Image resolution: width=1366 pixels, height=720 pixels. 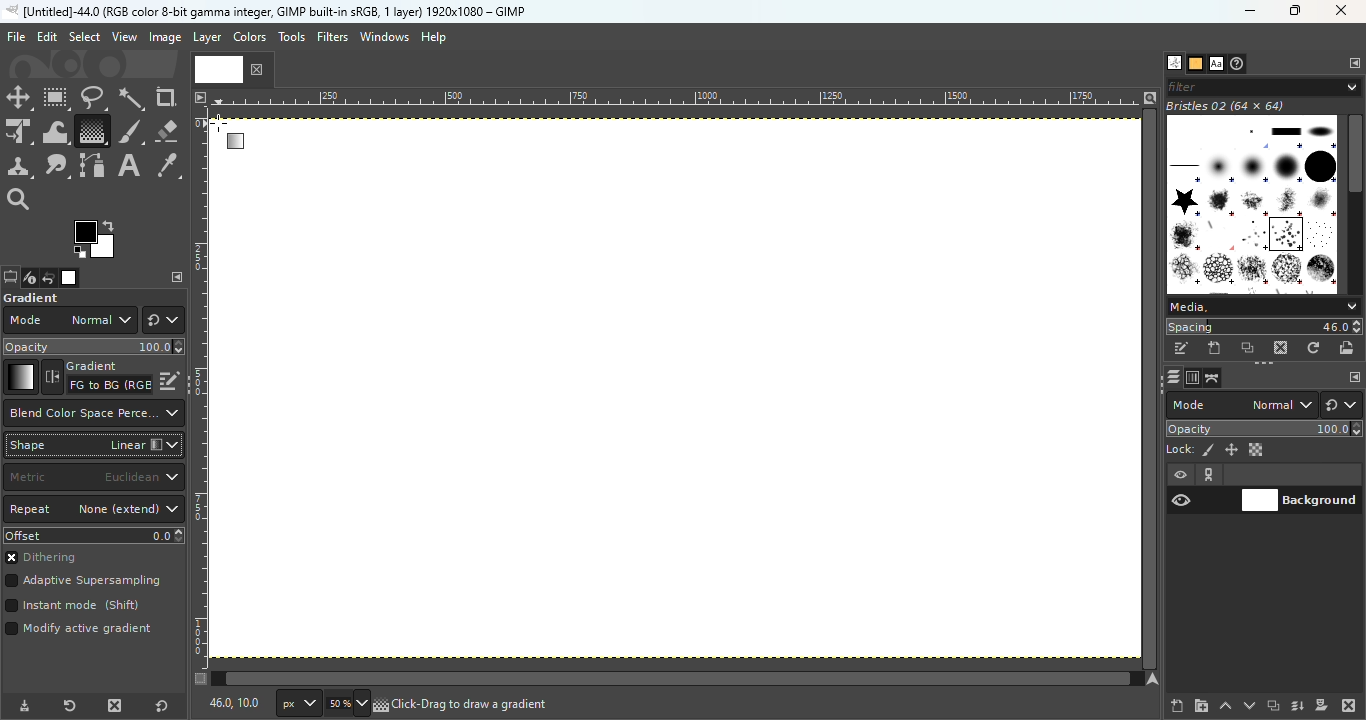 I want to click on Dithering, so click(x=49, y=559).